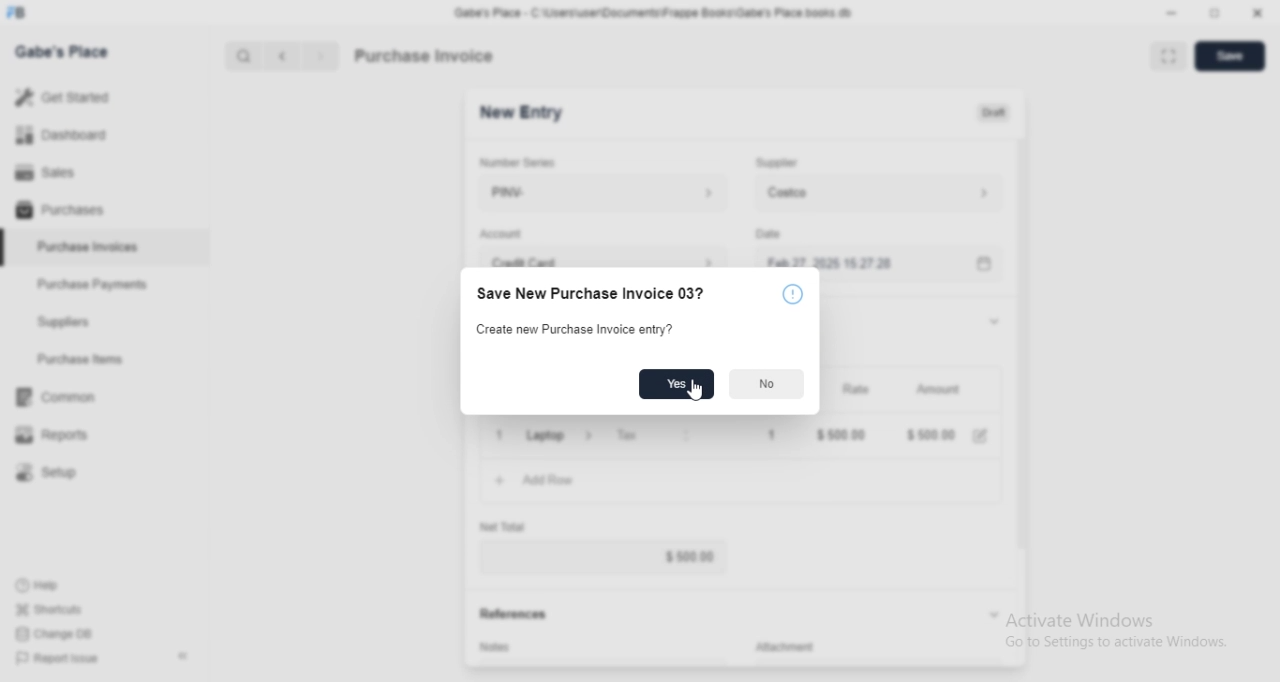 The height and width of the screenshot is (682, 1280). What do you see at coordinates (1230, 56) in the screenshot?
I see `Save` at bounding box center [1230, 56].